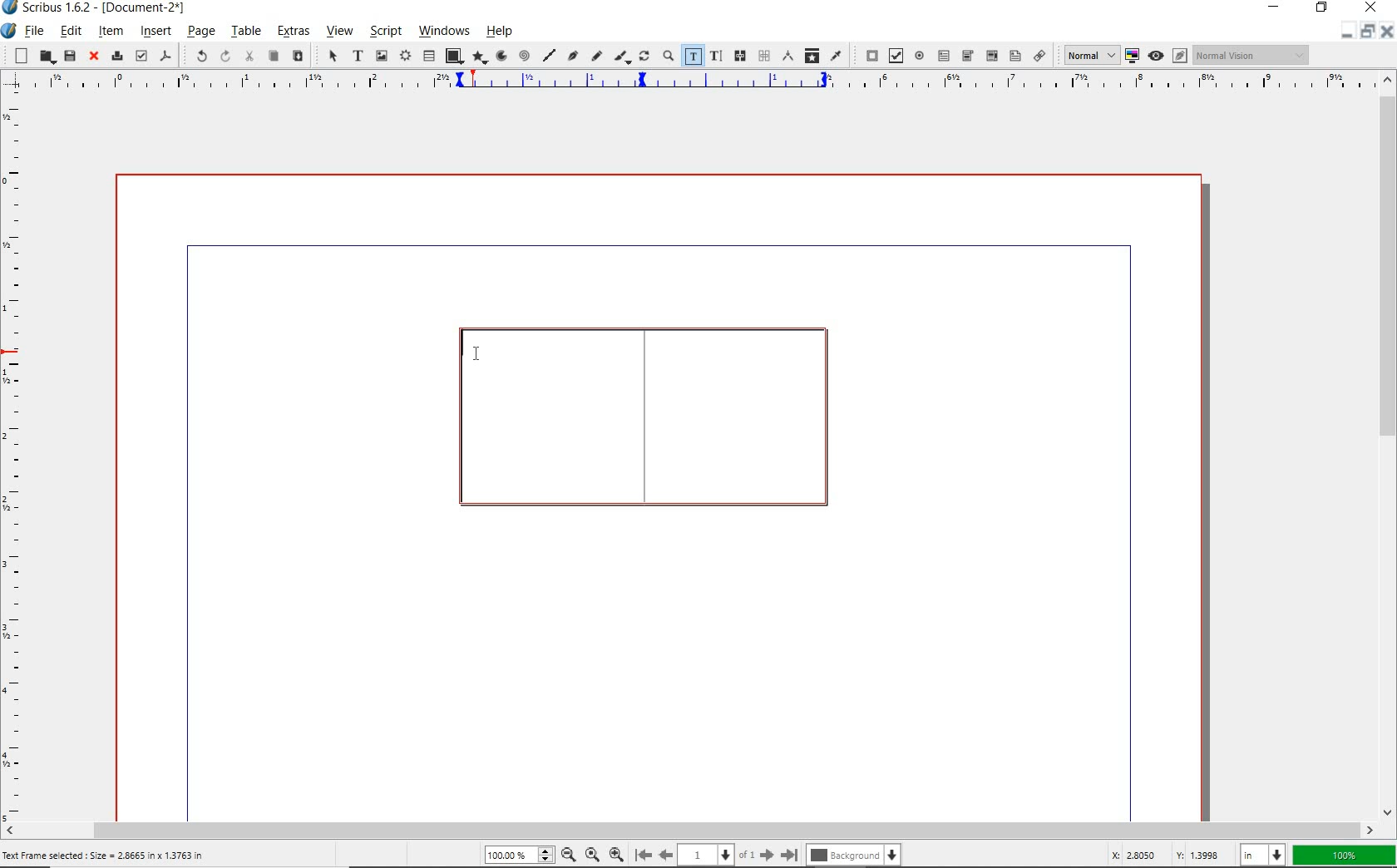 This screenshot has width=1397, height=868. Describe the element at coordinates (155, 31) in the screenshot. I see `insert` at that location.